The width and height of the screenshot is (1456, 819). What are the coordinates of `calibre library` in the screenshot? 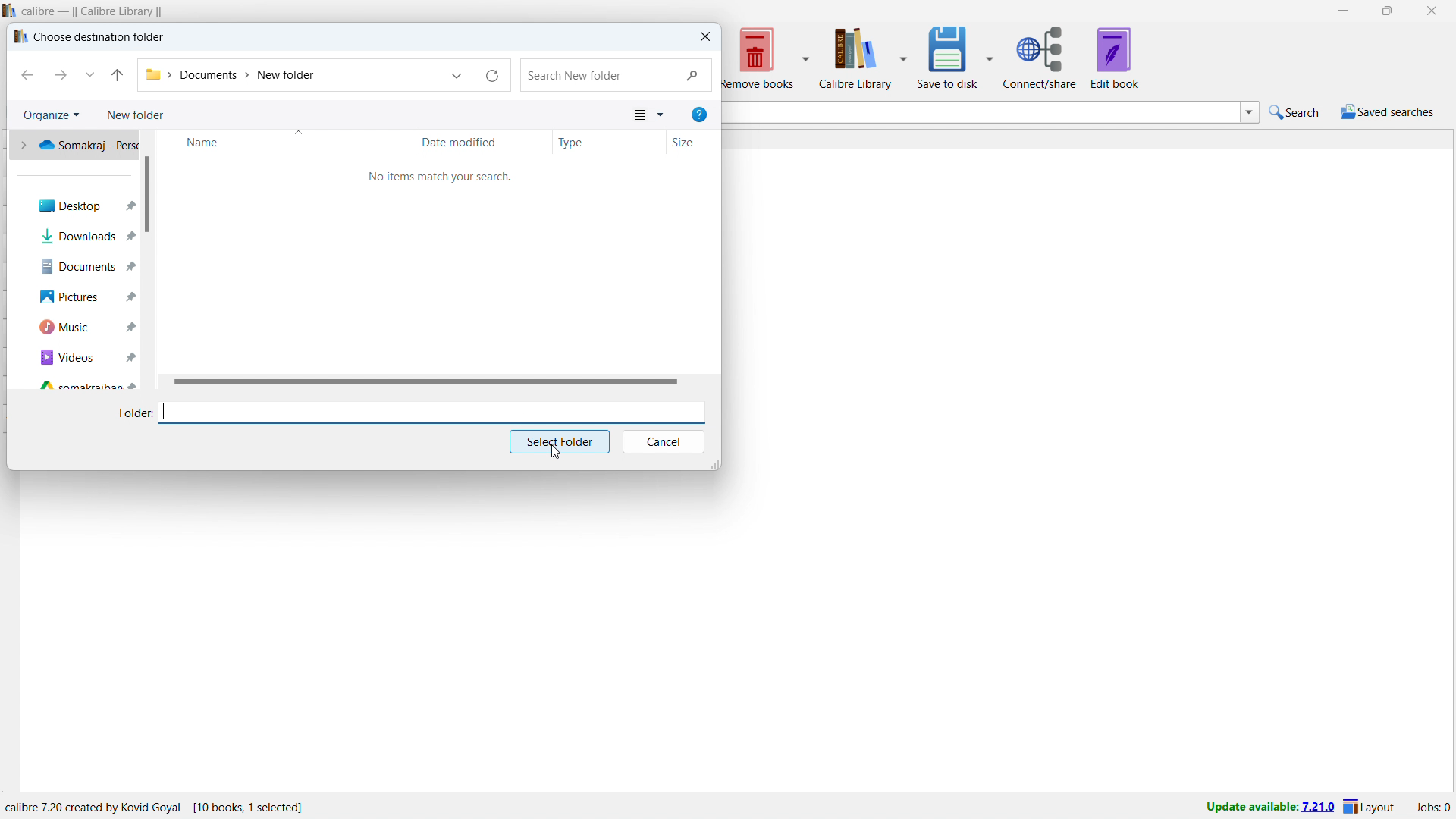 It's located at (855, 58).